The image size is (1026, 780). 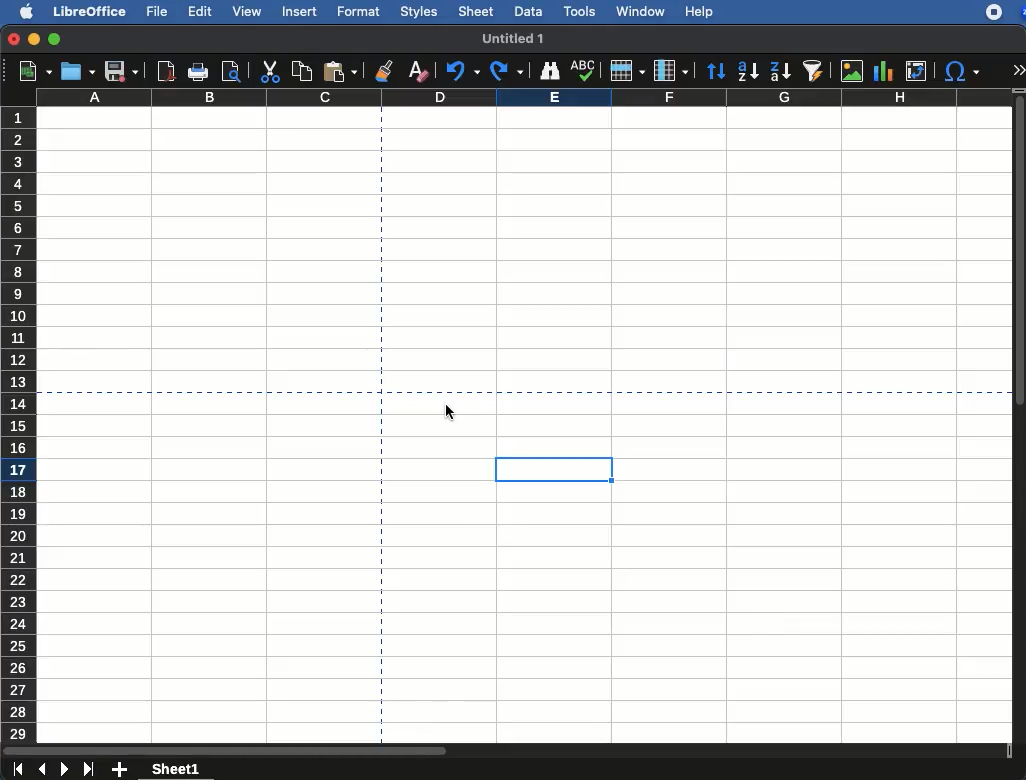 I want to click on save, so click(x=122, y=71).